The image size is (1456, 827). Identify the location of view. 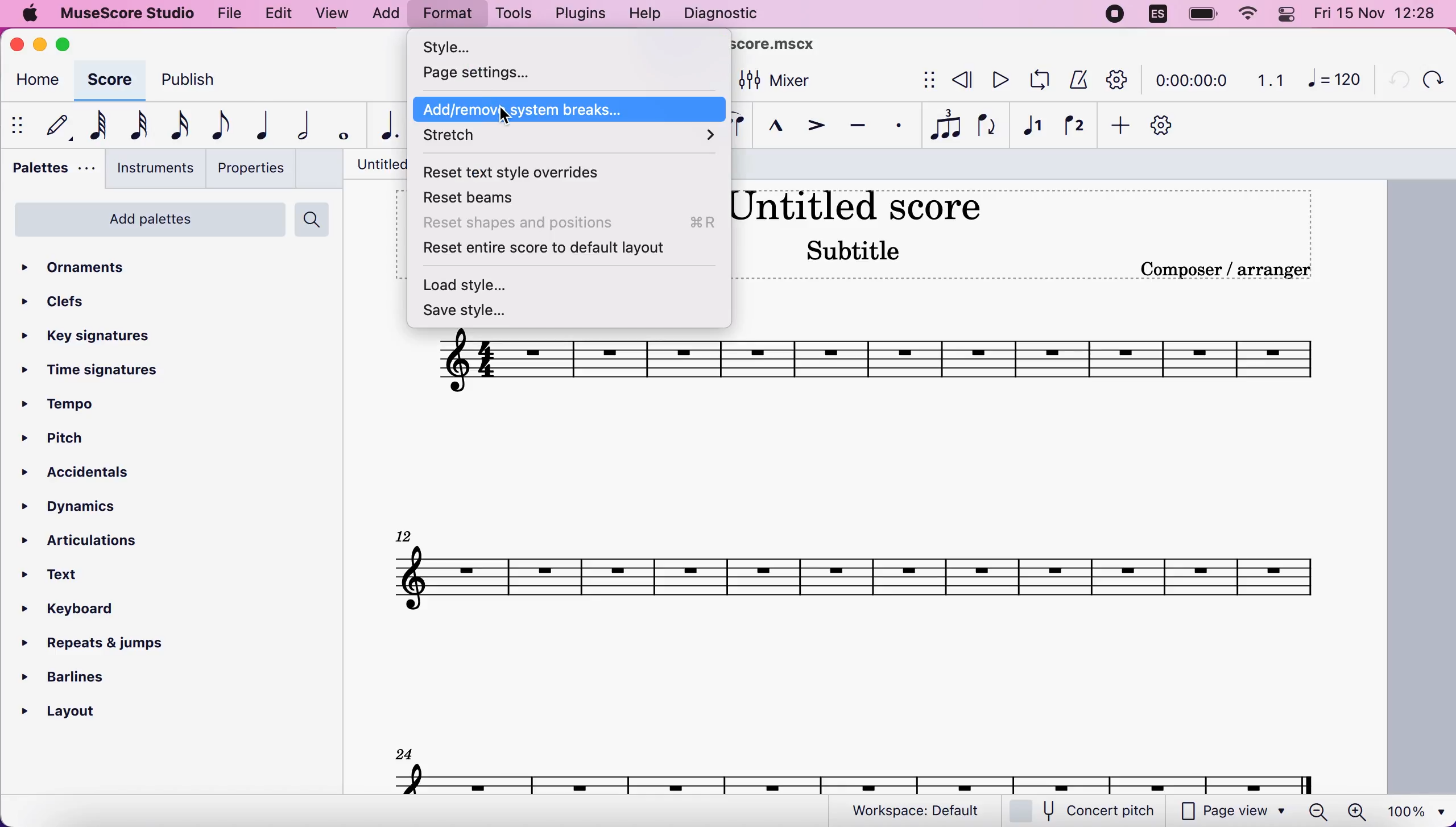
(333, 15).